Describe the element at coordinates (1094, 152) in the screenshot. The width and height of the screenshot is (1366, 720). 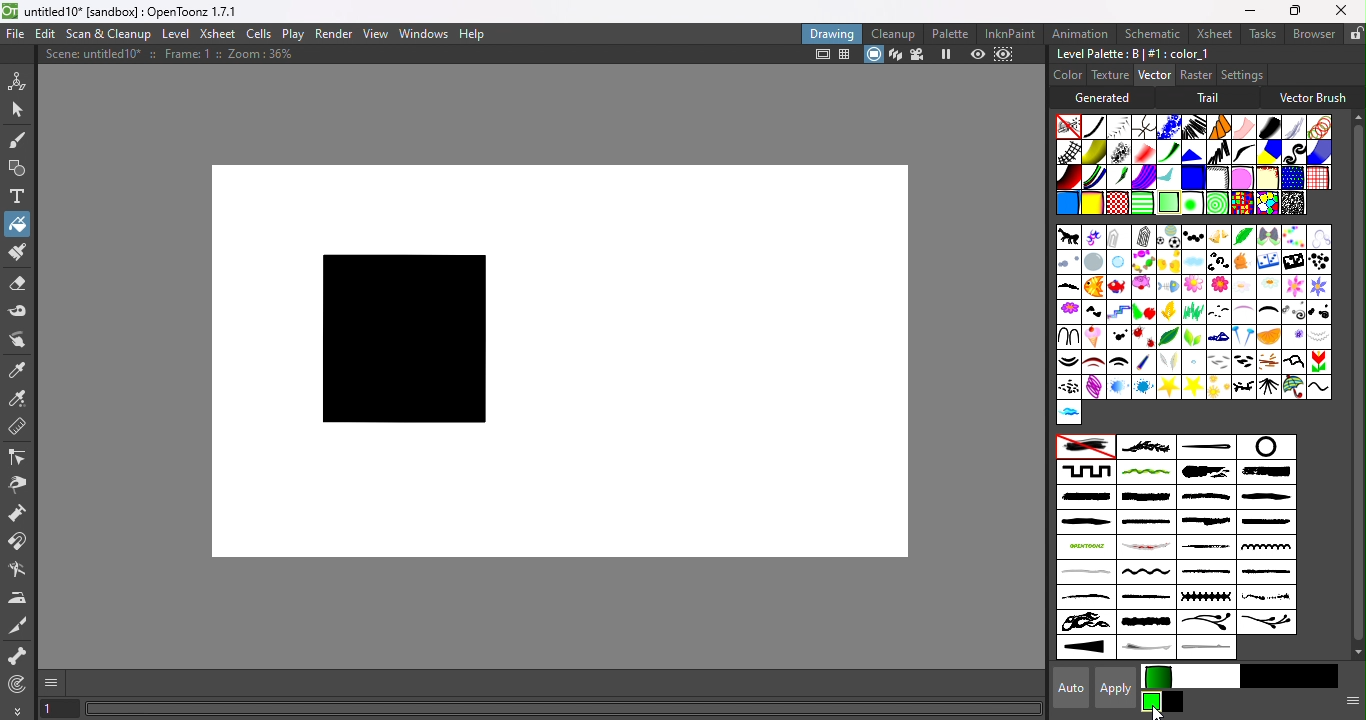
I see `Bump` at that location.